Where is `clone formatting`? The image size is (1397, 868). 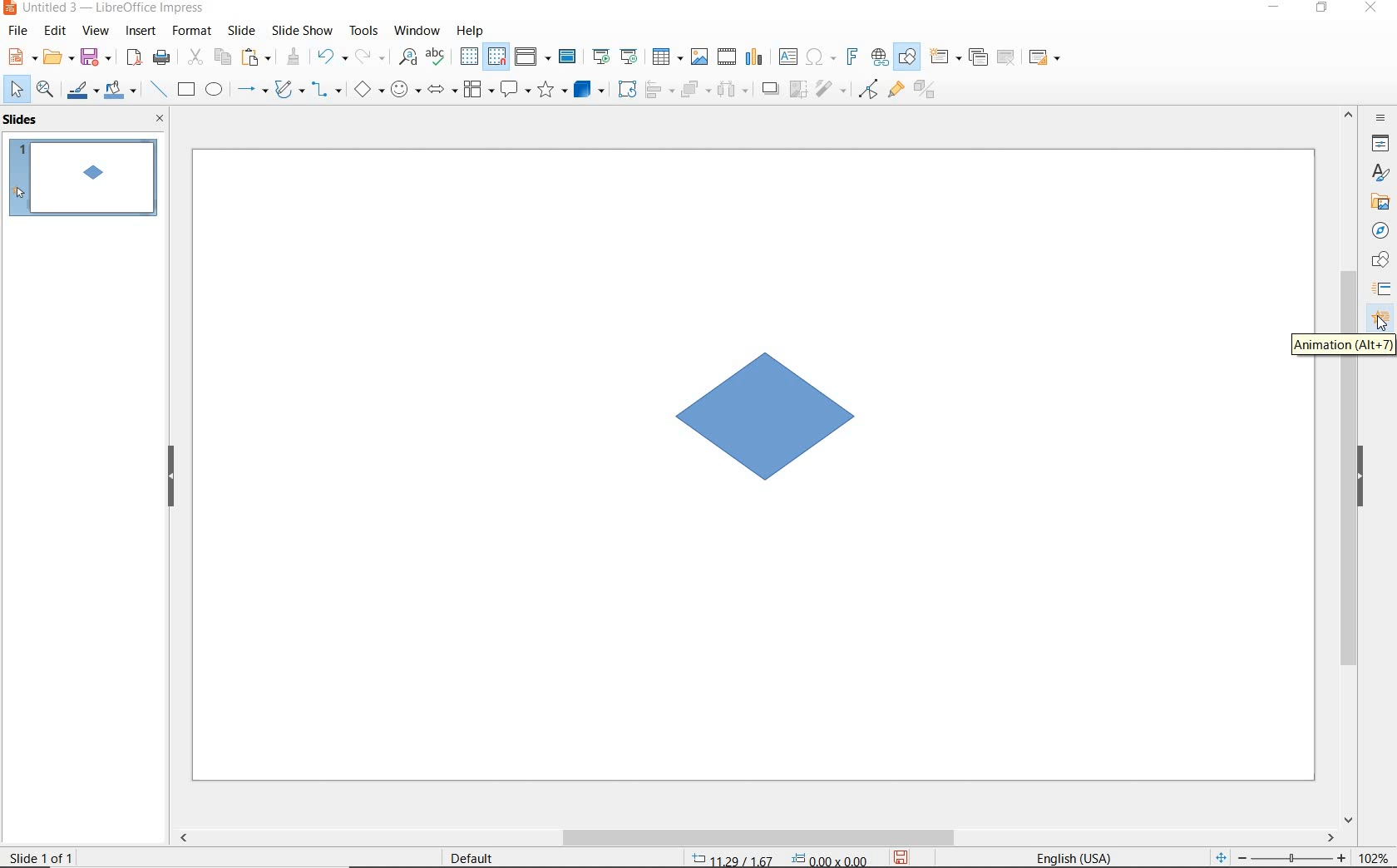 clone formatting is located at coordinates (292, 57).